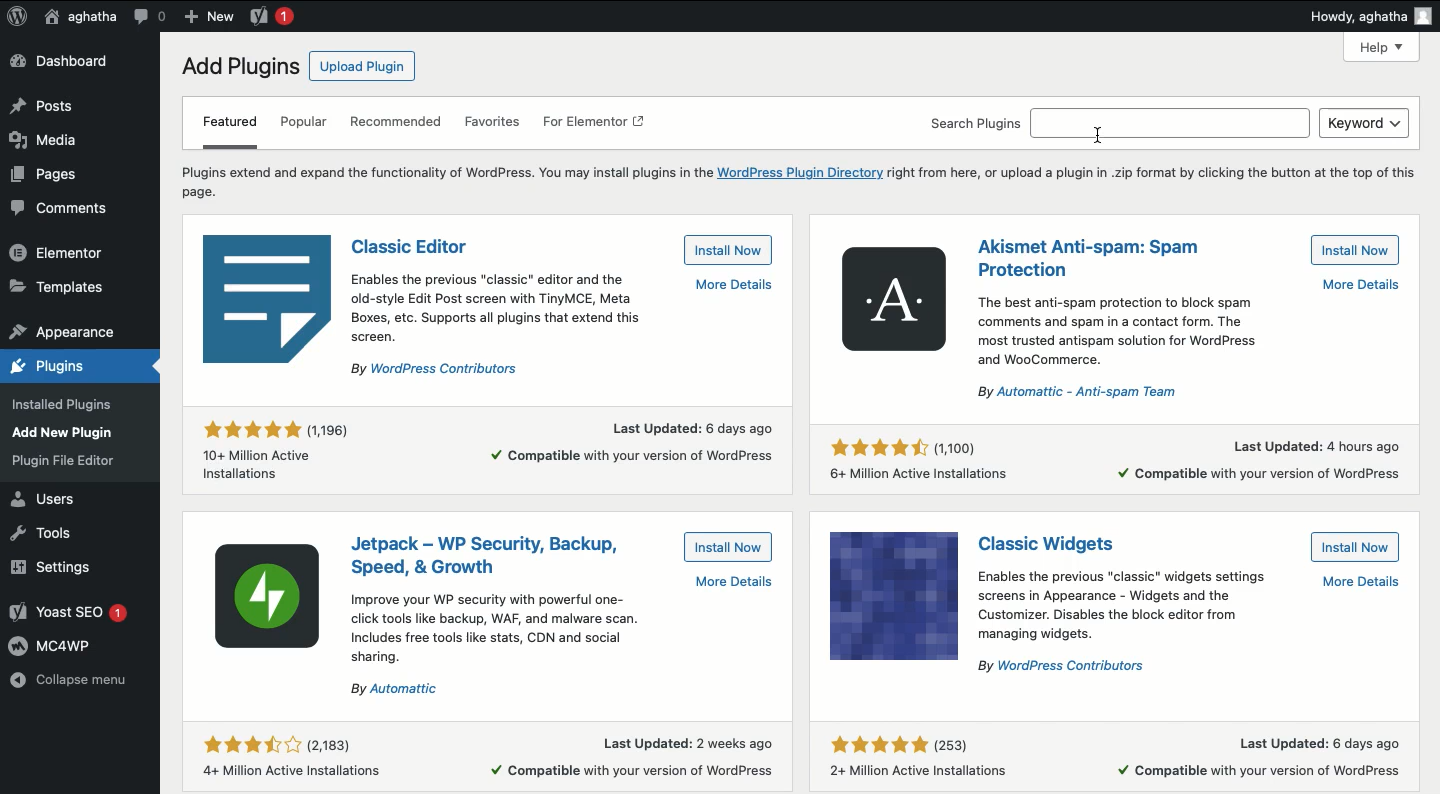  Describe the element at coordinates (207, 17) in the screenshot. I see `New` at that location.